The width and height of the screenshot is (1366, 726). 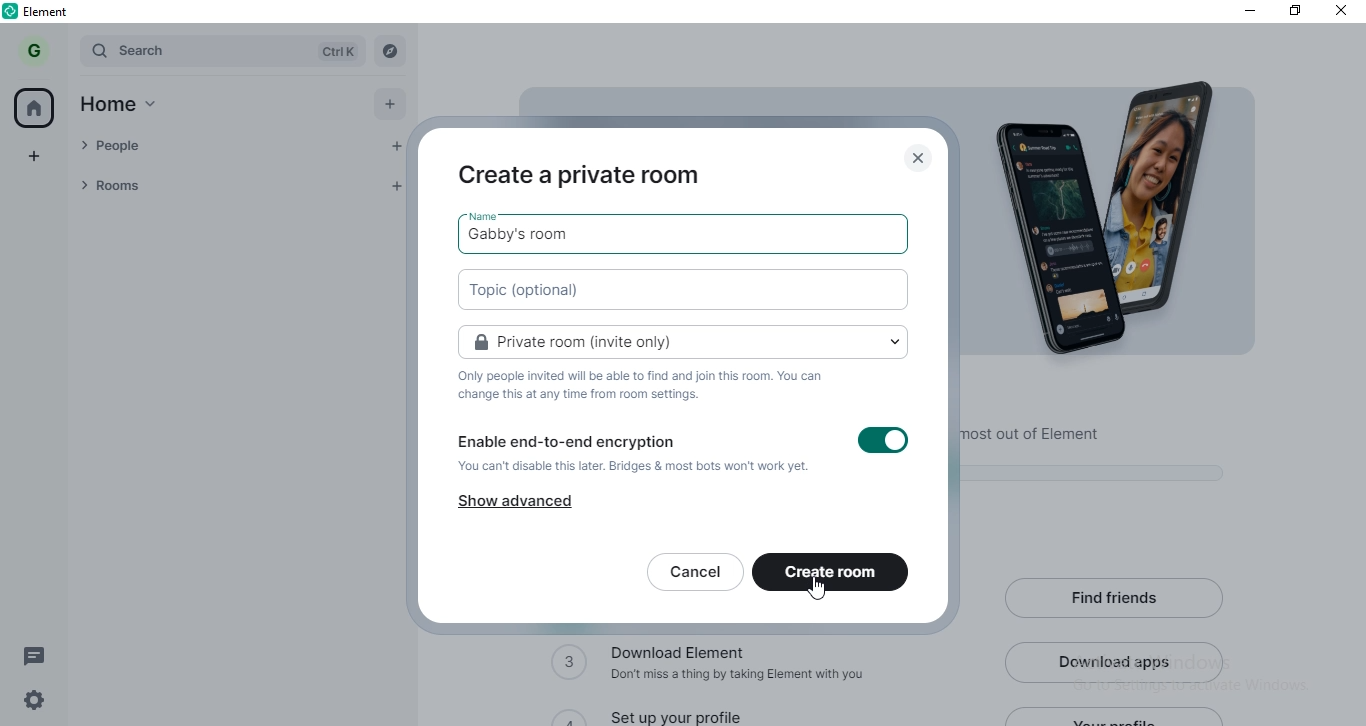 What do you see at coordinates (36, 153) in the screenshot?
I see `add space` at bounding box center [36, 153].